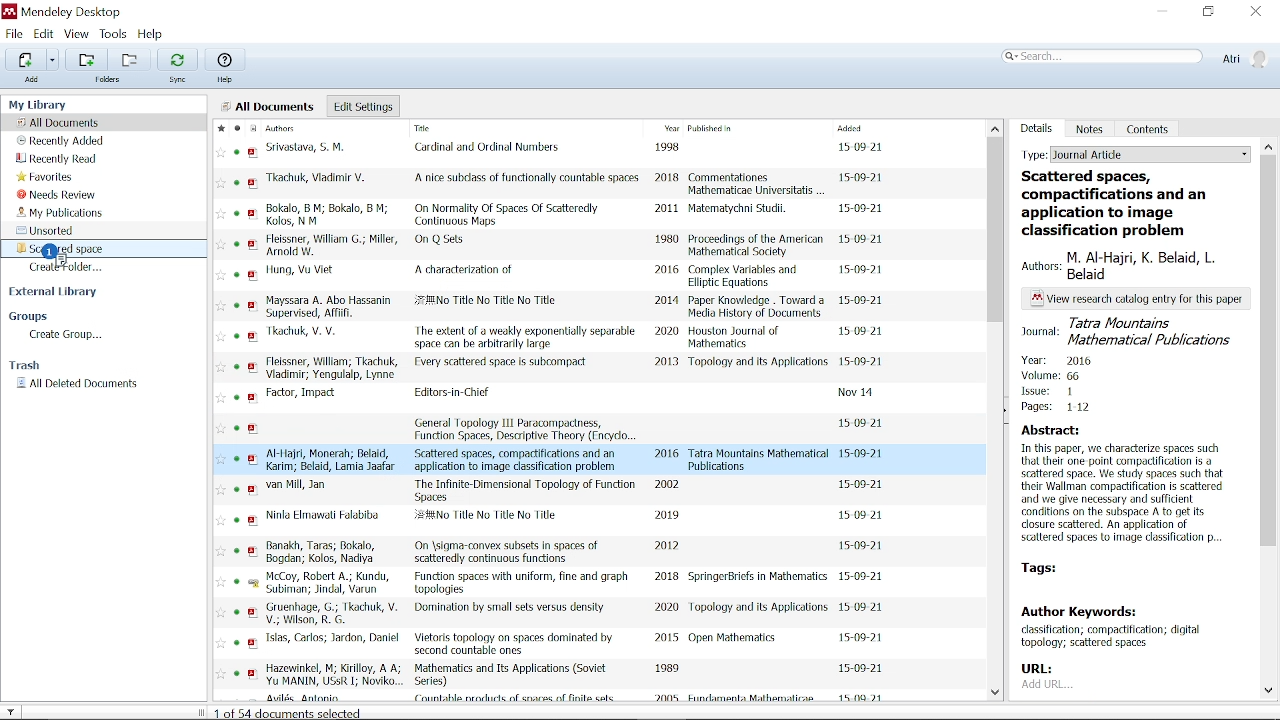 The image size is (1280, 720). What do you see at coordinates (335, 459) in the screenshot?
I see `authors` at bounding box center [335, 459].